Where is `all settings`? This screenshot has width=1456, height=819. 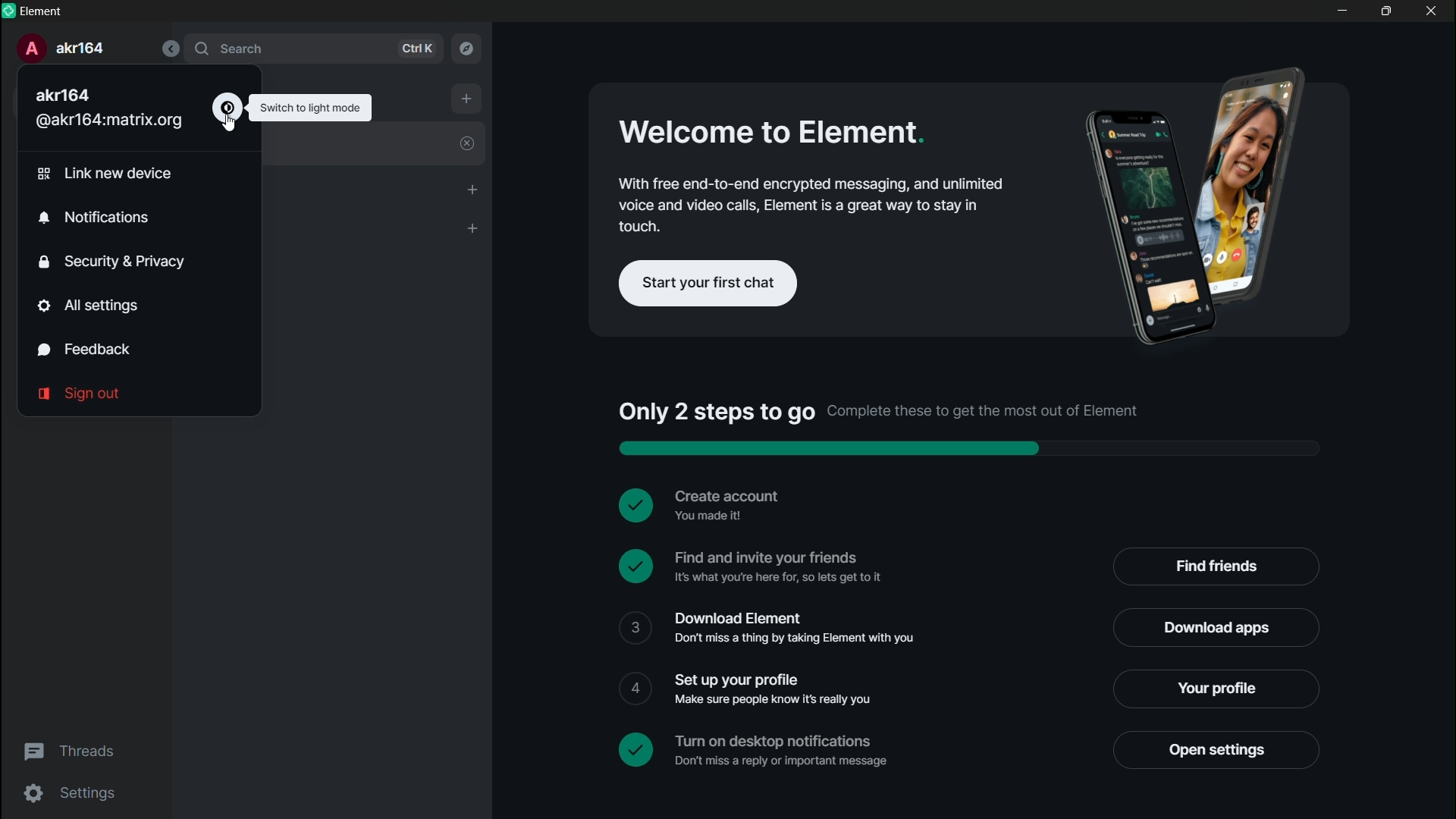
all settings is located at coordinates (89, 306).